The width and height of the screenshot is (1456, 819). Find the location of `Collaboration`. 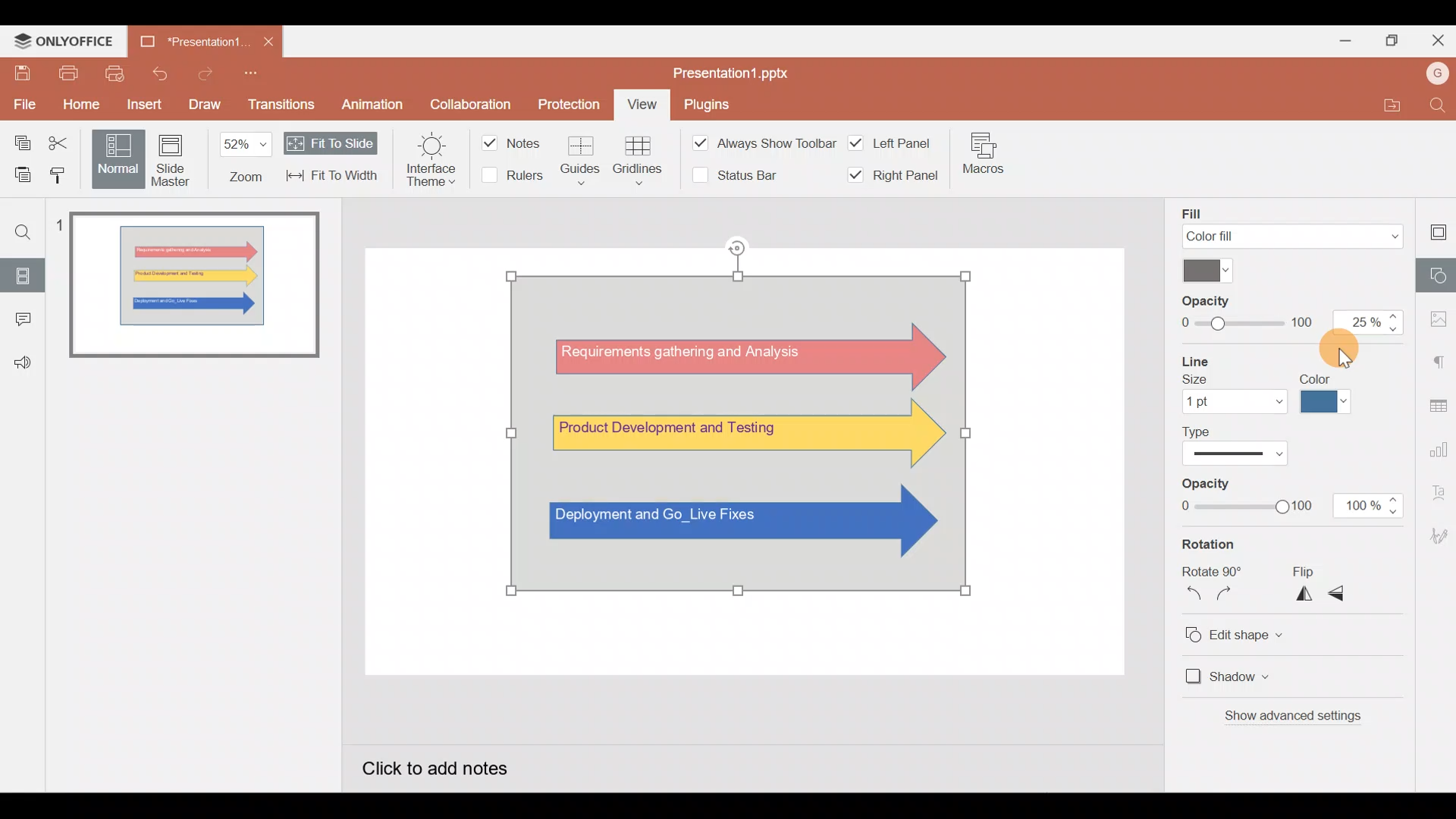

Collaboration is located at coordinates (470, 102).